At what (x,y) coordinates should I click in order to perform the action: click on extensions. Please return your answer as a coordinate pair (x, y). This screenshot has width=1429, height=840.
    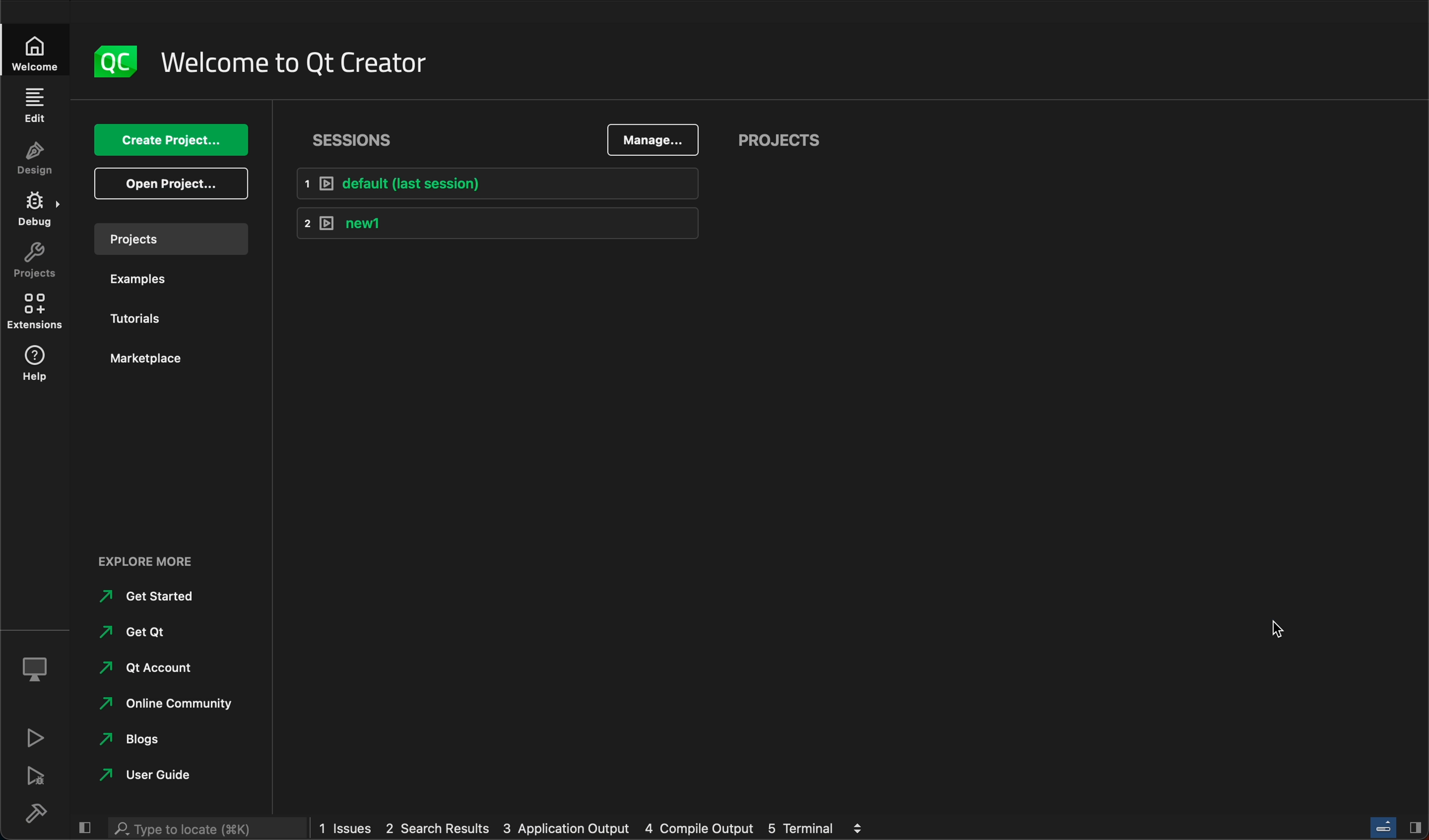
    Looking at the image, I should click on (36, 313).